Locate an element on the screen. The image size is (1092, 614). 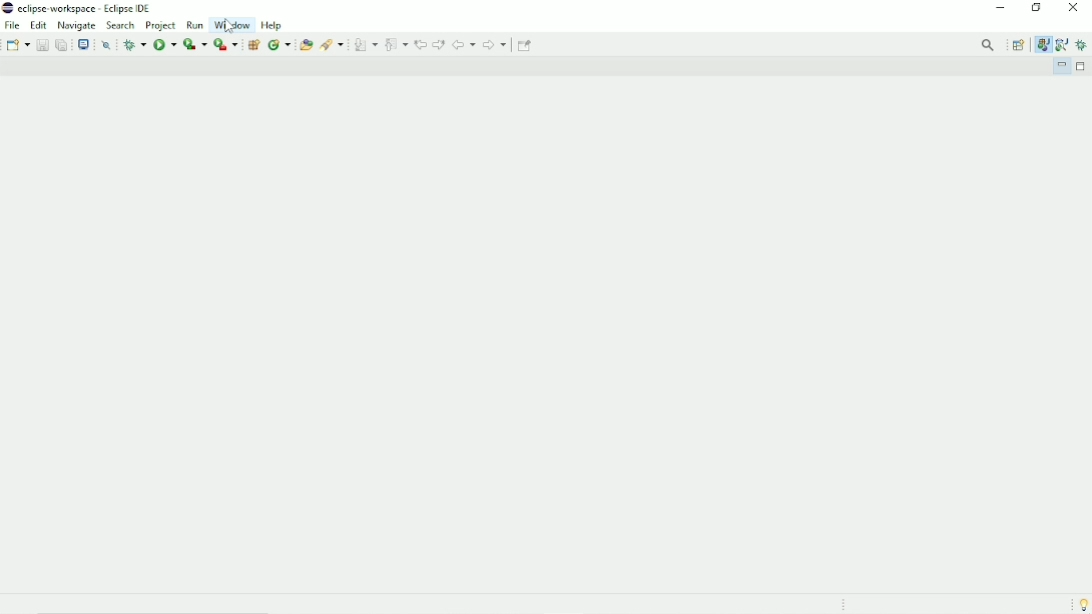
Save all is located at coordinates (60, 44).